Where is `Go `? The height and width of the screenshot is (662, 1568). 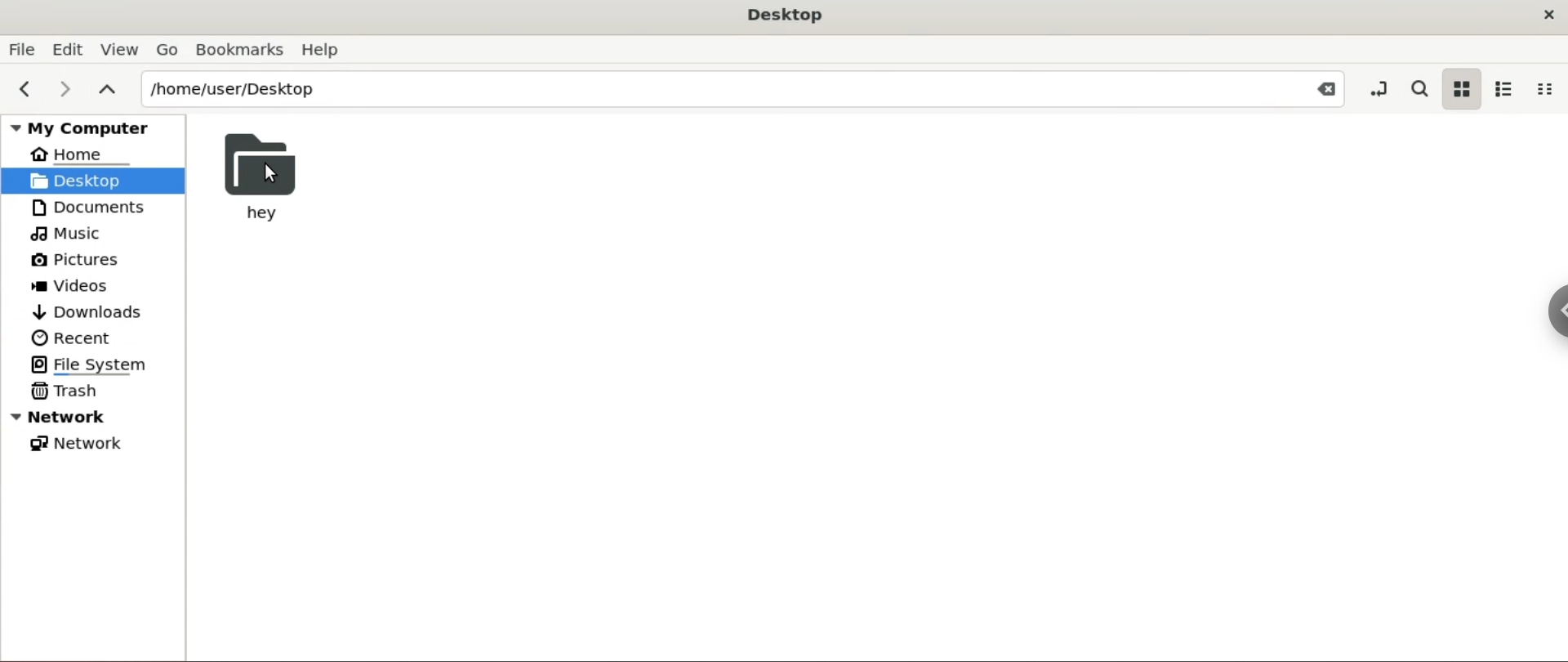 Go  is located at coordinates (167, 49).